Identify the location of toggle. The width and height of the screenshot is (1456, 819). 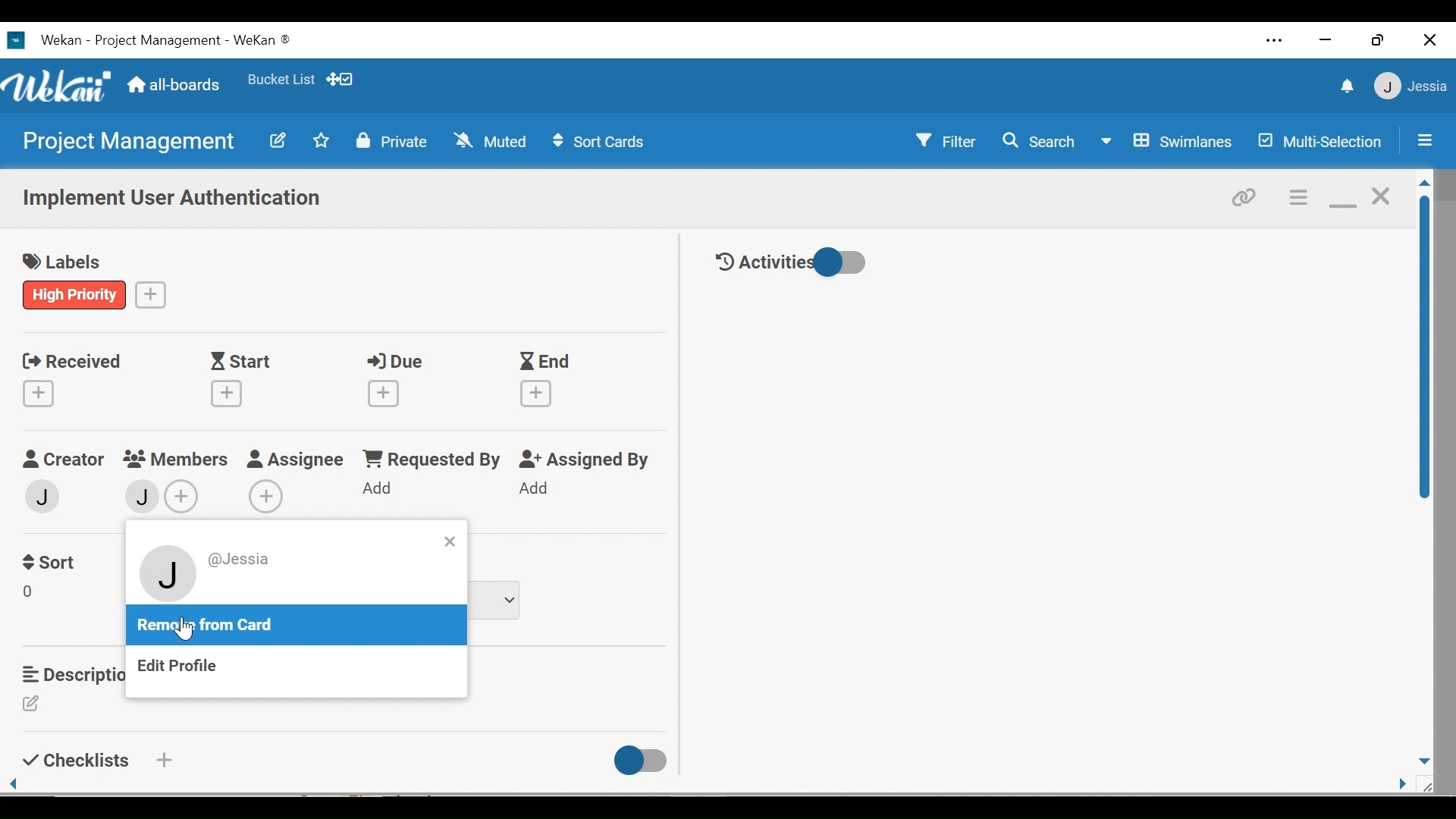
(642, 761).